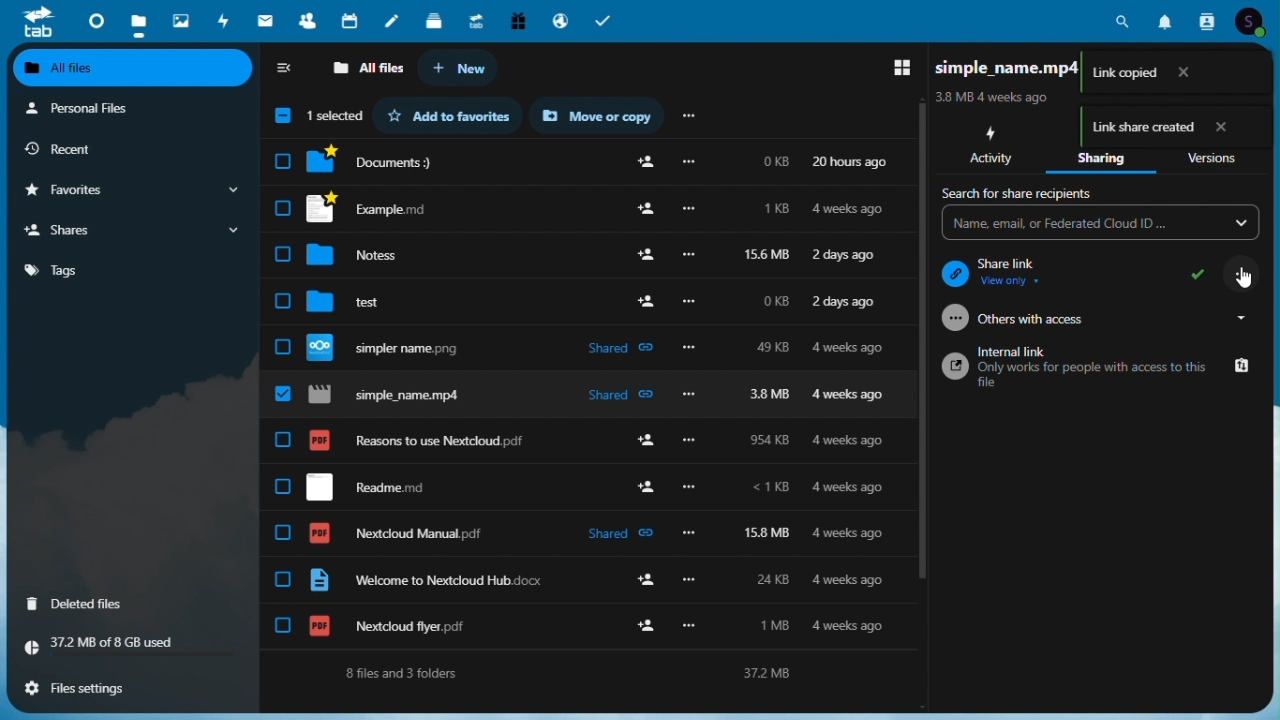  I want to click on Favourite, so click(449, 115).